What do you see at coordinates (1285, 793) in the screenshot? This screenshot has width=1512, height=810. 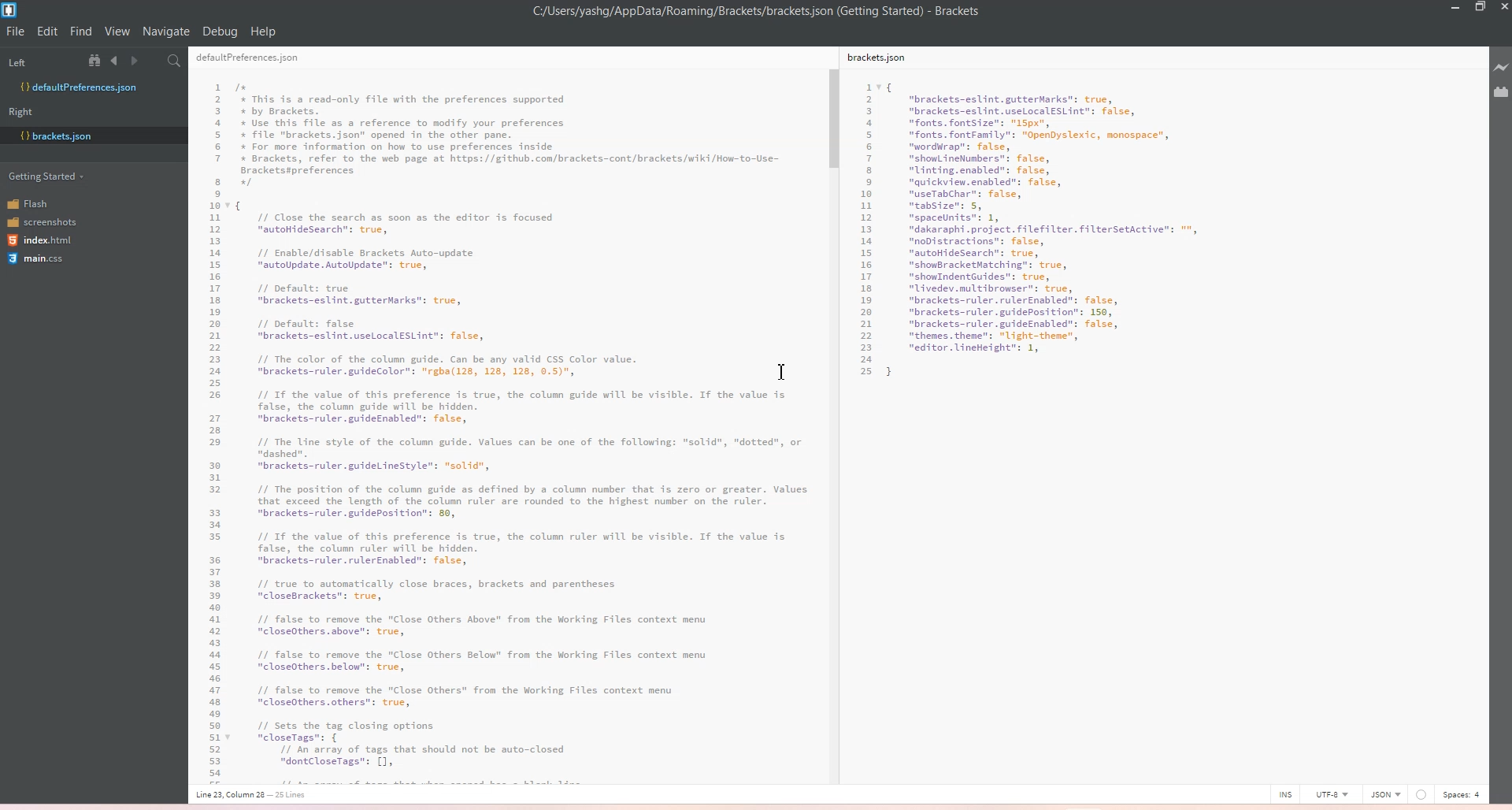 I see `INS` at bounding box center [1285, 793].